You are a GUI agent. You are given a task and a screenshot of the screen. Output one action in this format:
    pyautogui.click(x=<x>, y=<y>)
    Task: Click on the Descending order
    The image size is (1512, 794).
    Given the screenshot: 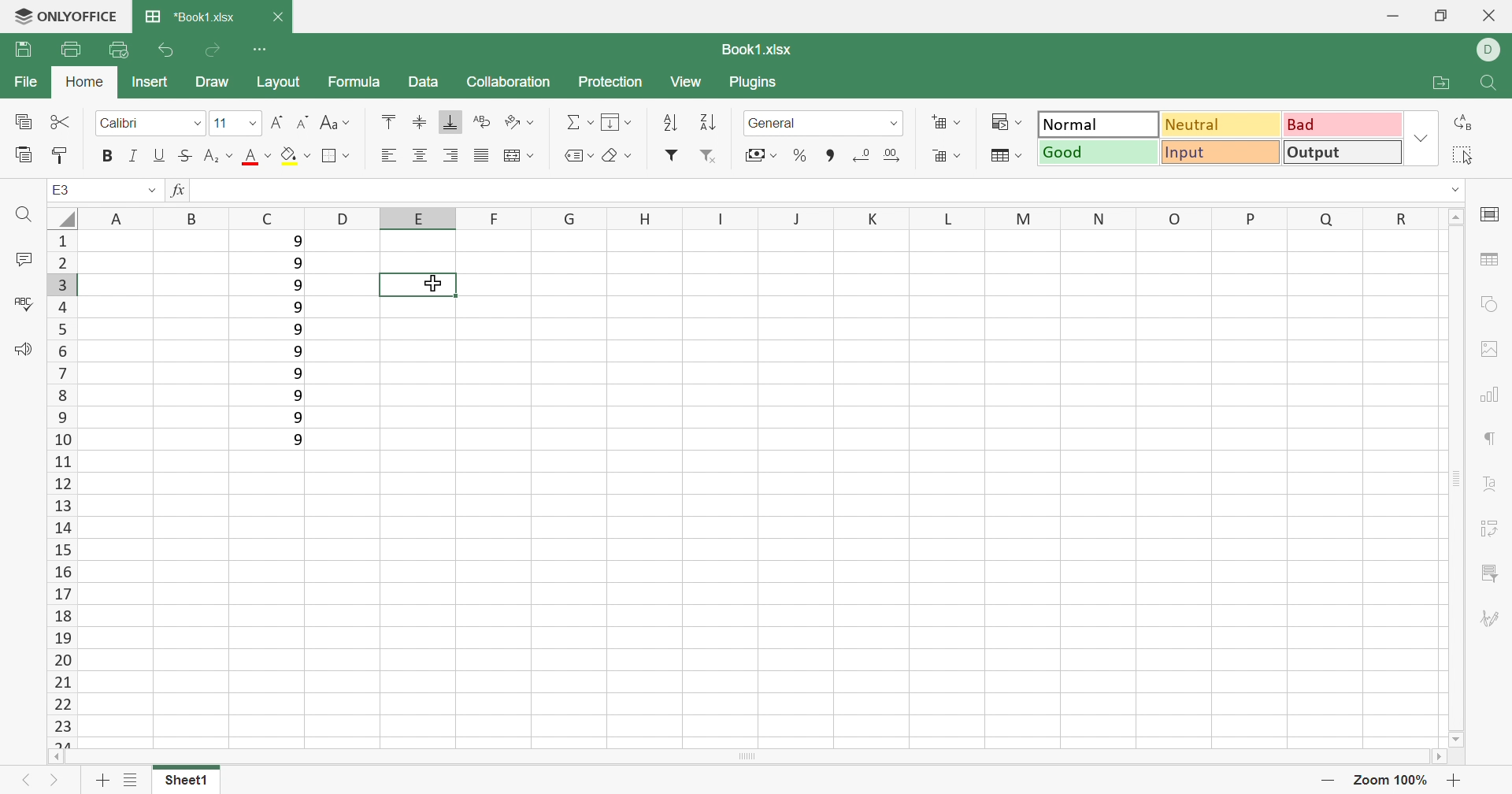 What is the action you would take?
    pyautogui.click(x=710, y=121)
    